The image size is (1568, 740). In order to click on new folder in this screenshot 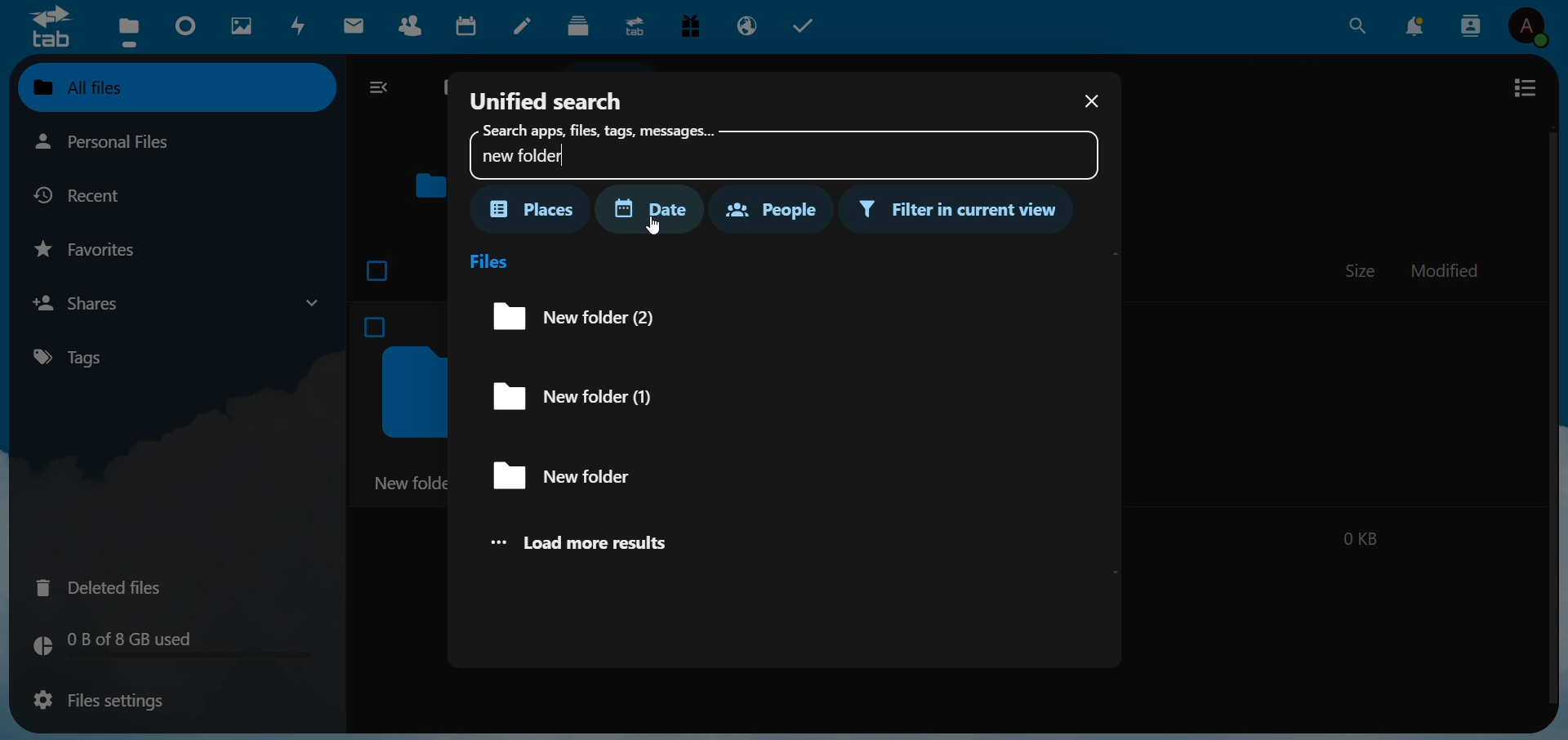, I will do `click(412, 484)`.